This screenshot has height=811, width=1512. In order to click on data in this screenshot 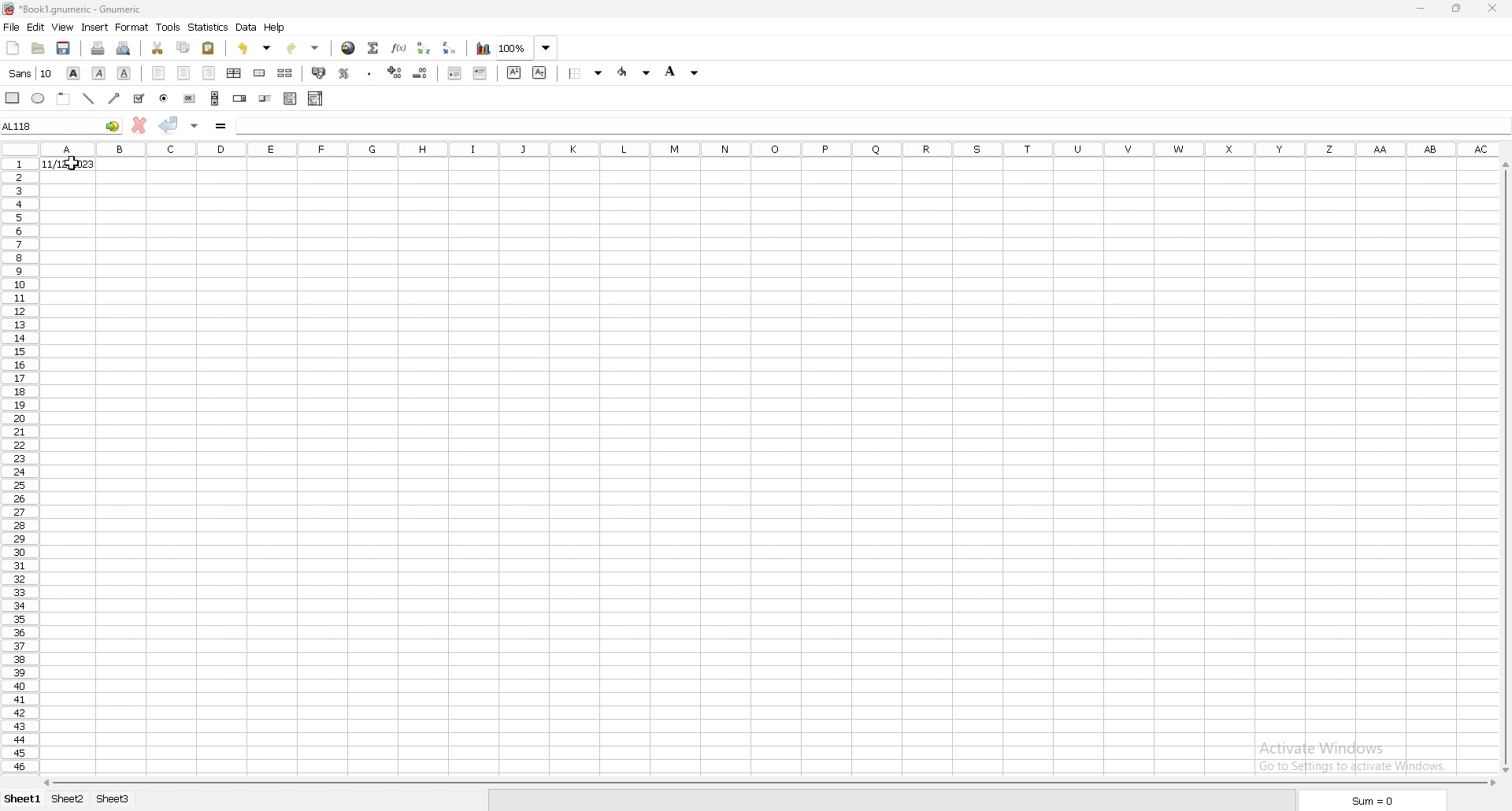, I will do `click(246, 28)`.